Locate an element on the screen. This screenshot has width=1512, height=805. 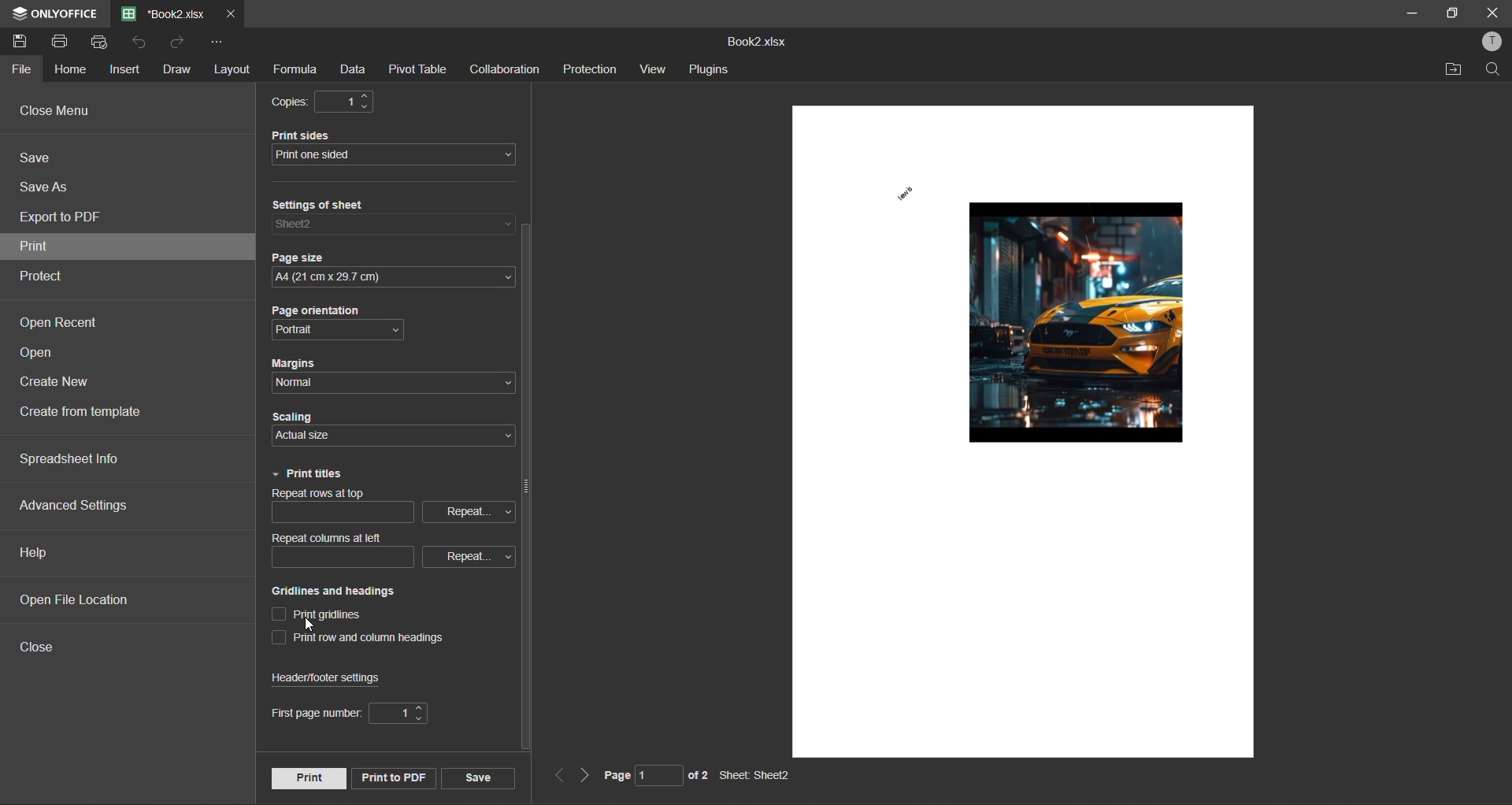
page number is located at coordinates (655, 776).